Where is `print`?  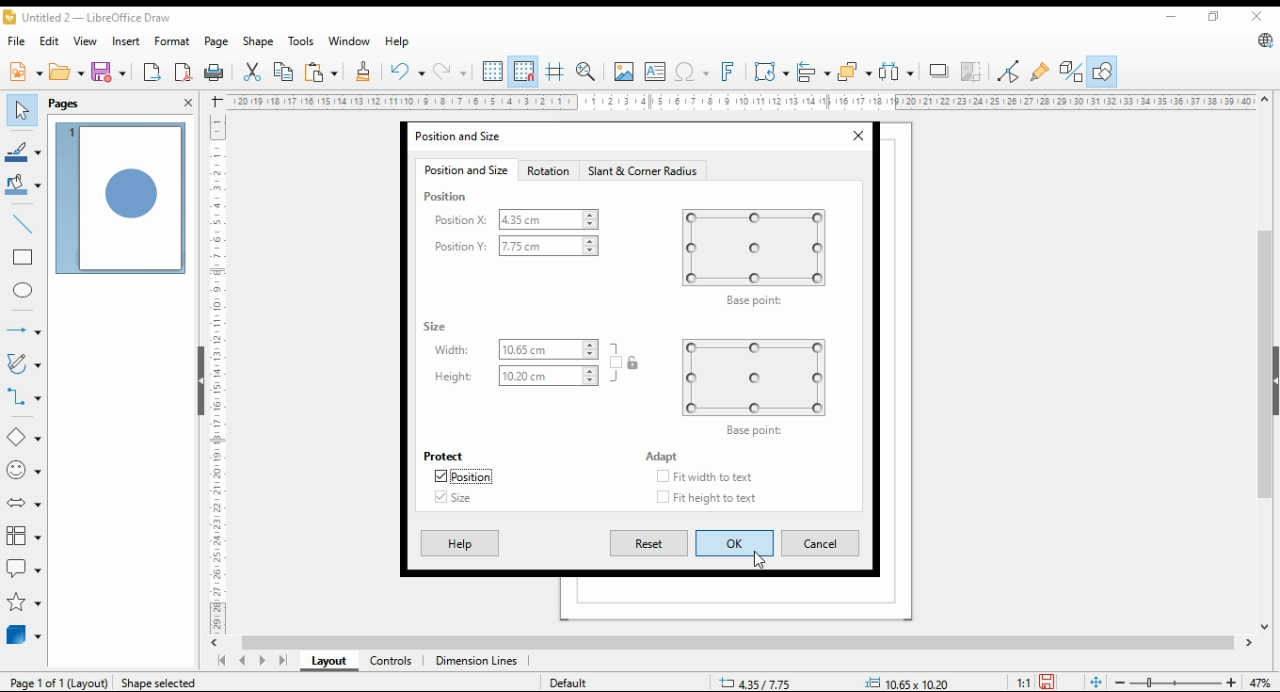 print is located at coordinates (216, 73).